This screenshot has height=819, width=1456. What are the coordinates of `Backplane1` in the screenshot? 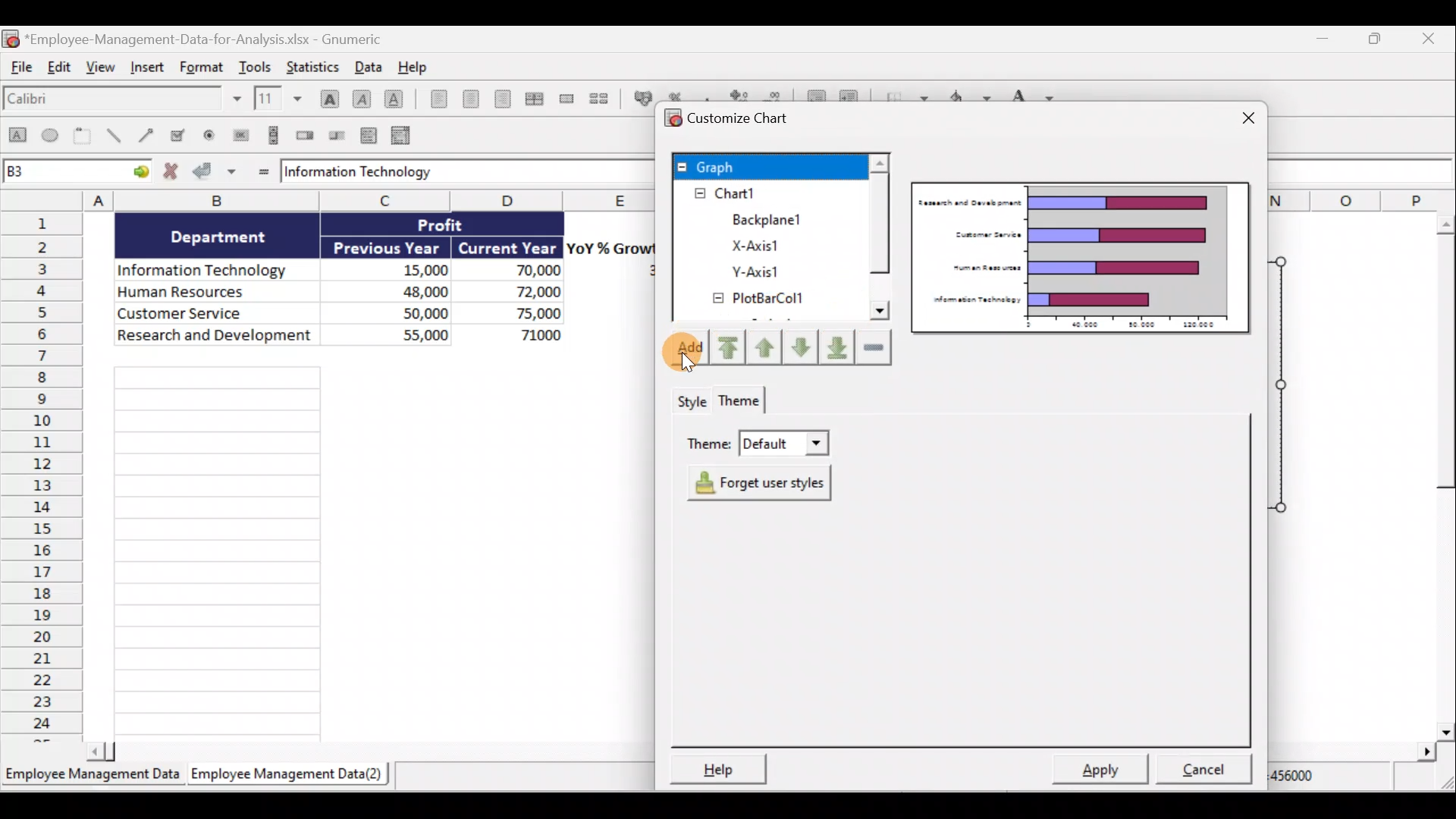 It's located at (763, 219).